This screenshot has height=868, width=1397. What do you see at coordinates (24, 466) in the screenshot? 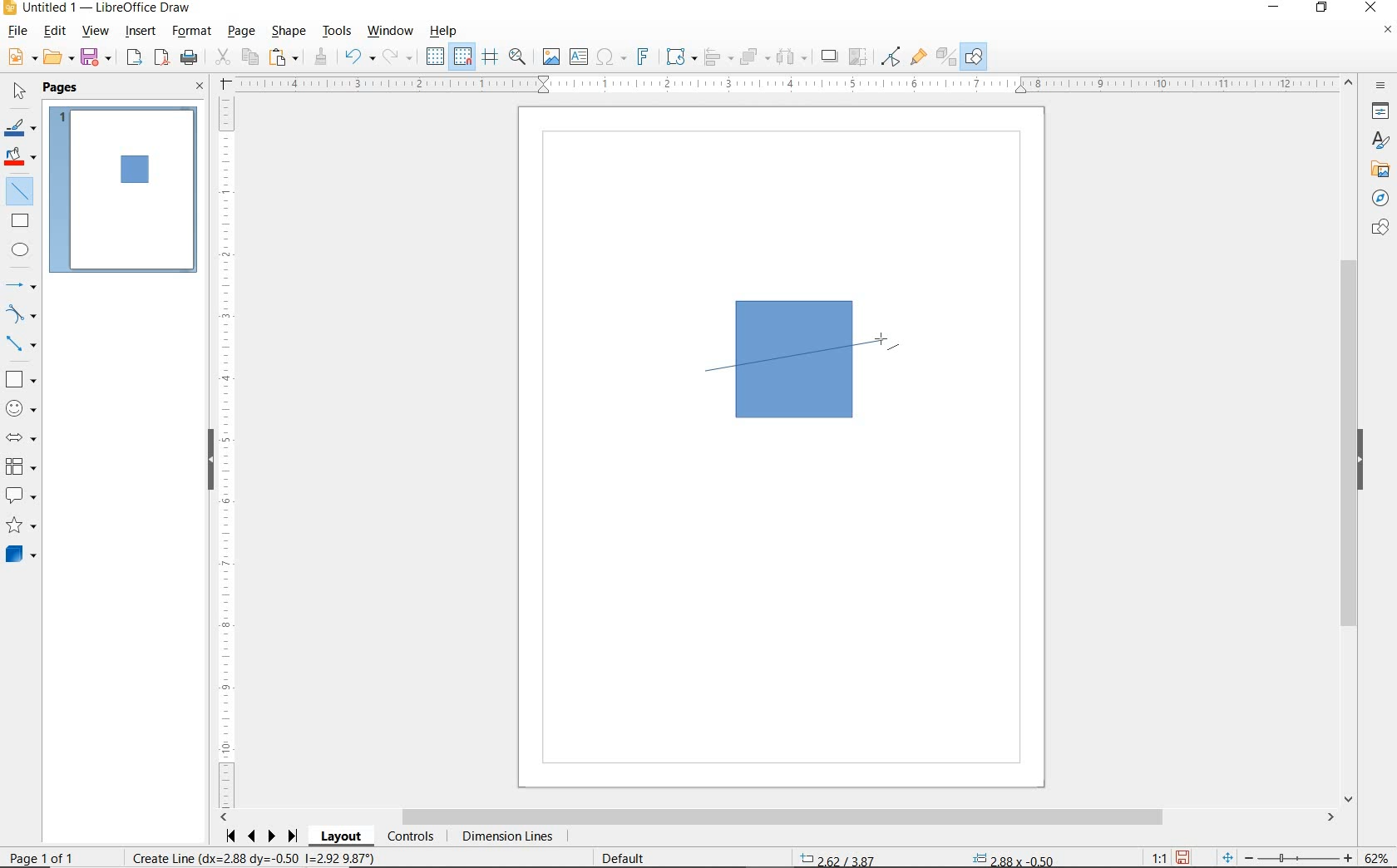
I see `FLOWCHART` at bounding box center [24, 466].